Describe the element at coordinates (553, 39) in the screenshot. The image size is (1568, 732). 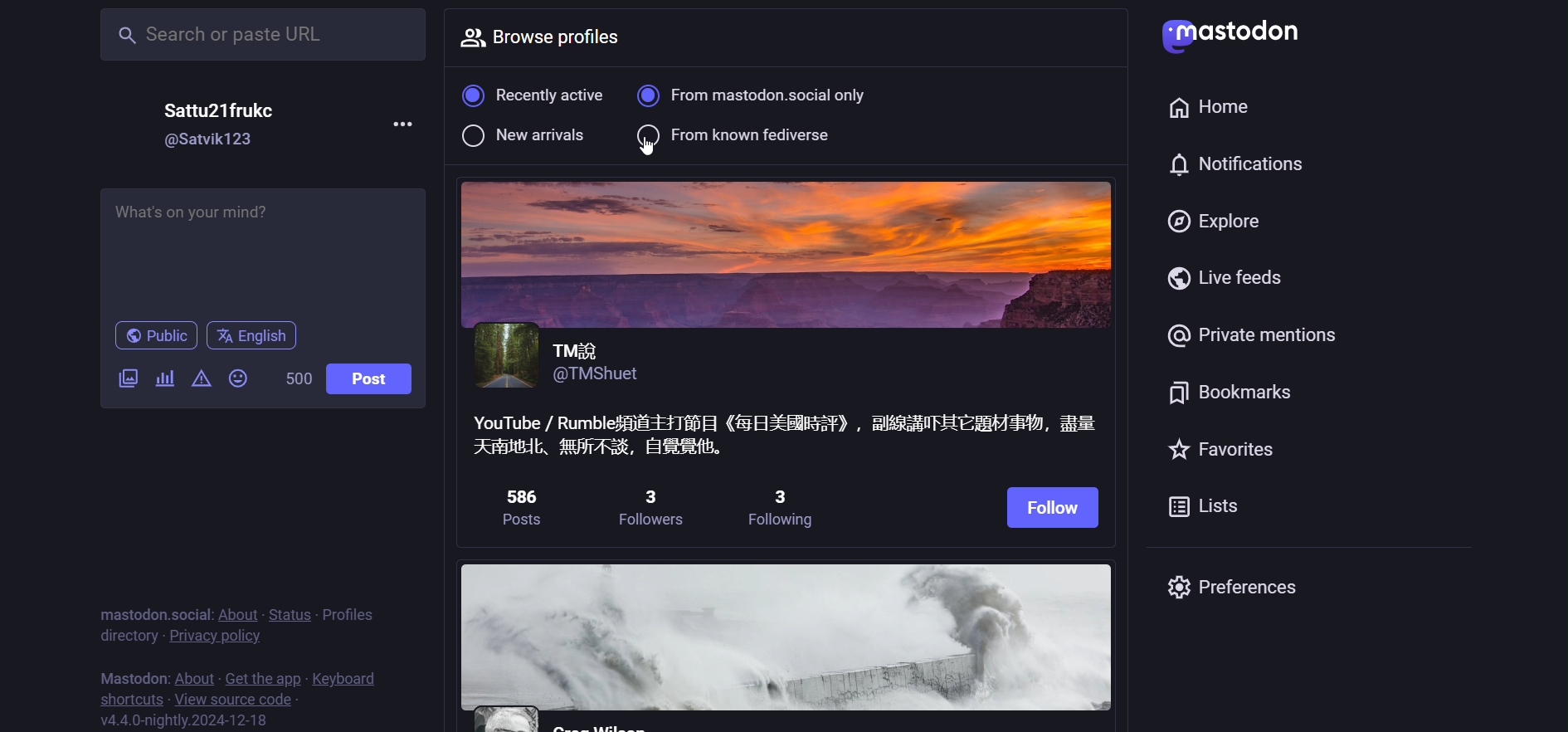
I see `browse profile` at that location.